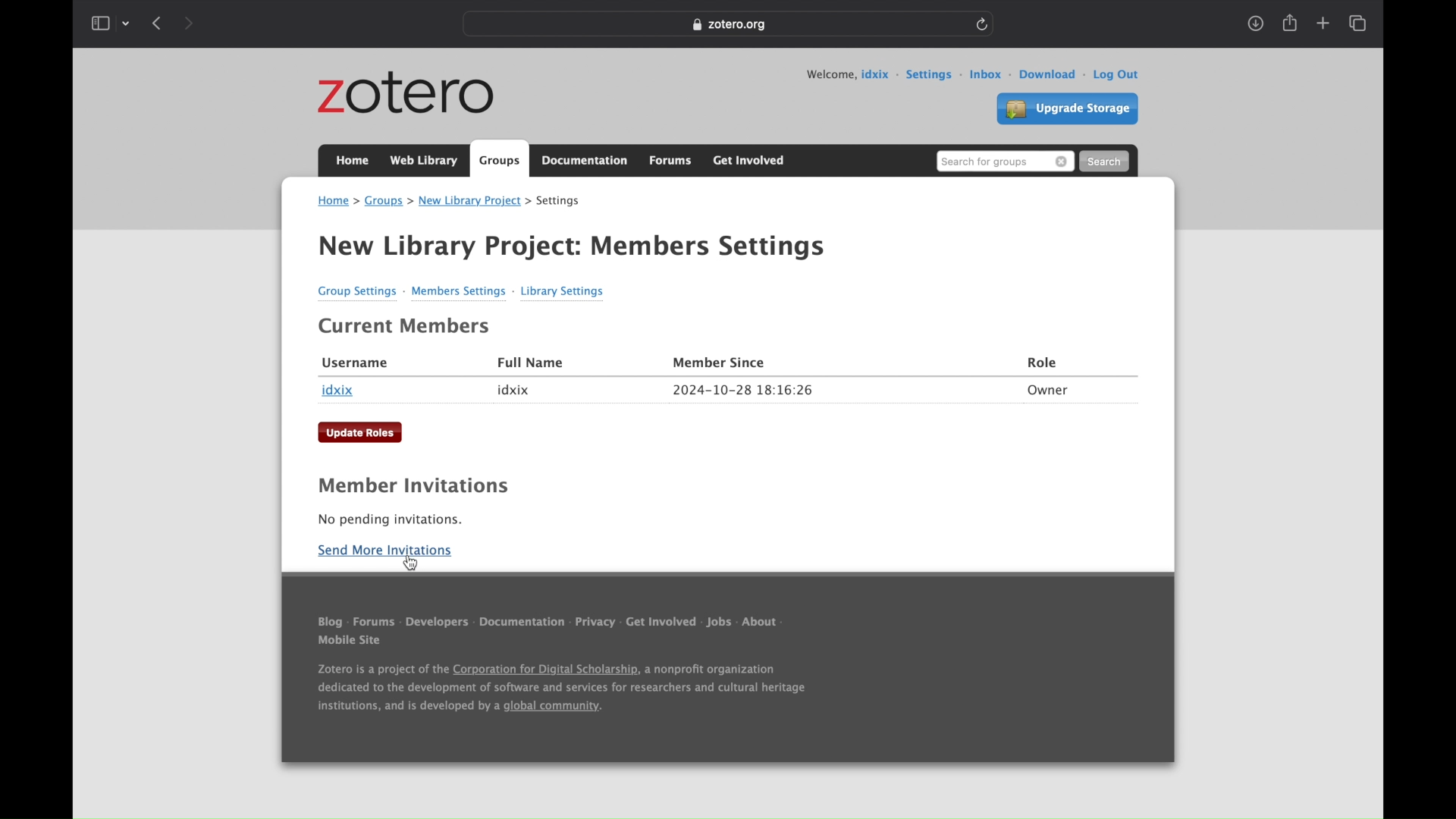 The height and width of the screenshot is (819, 1456). I want to click on member invitations, so click(414, 485).